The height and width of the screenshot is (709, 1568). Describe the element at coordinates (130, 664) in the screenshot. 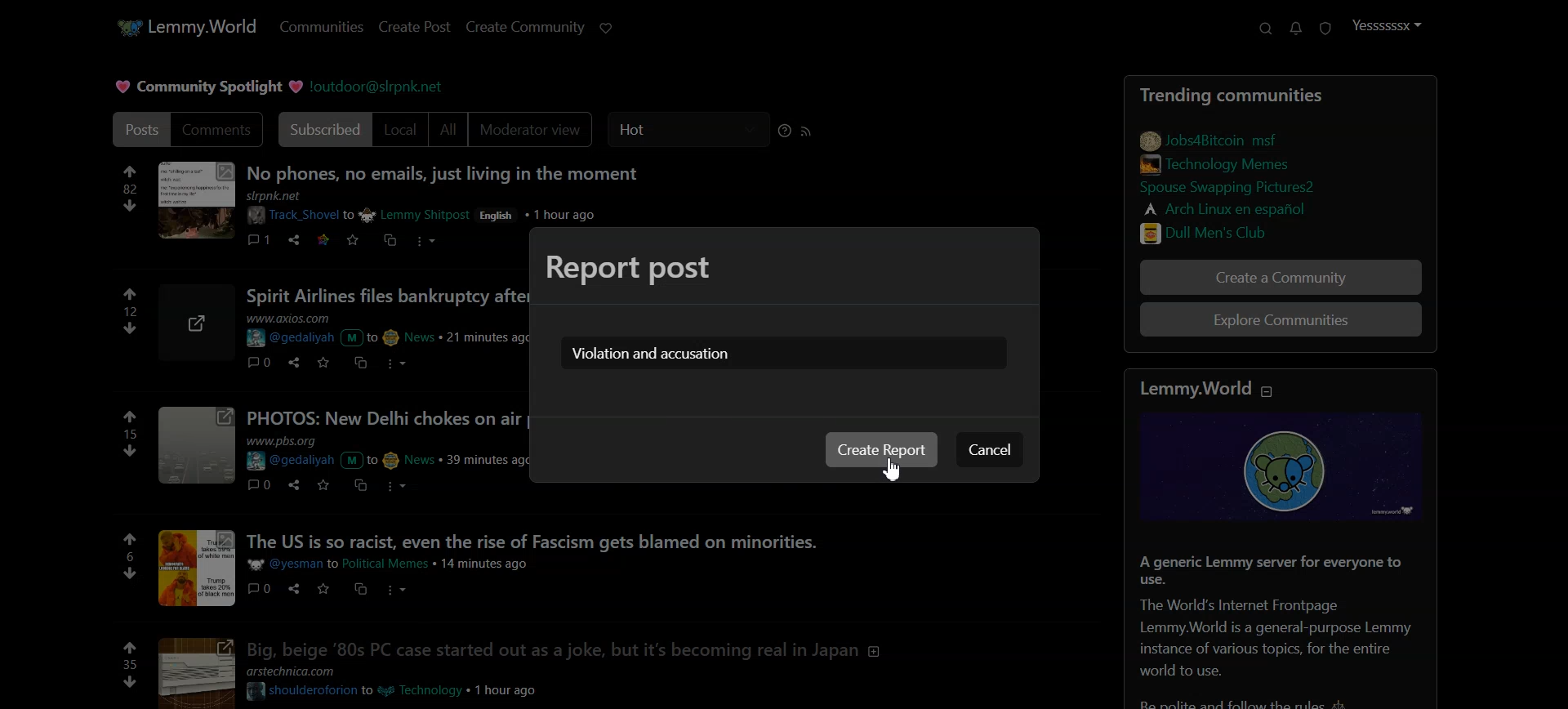

I see `numbers` at that location.